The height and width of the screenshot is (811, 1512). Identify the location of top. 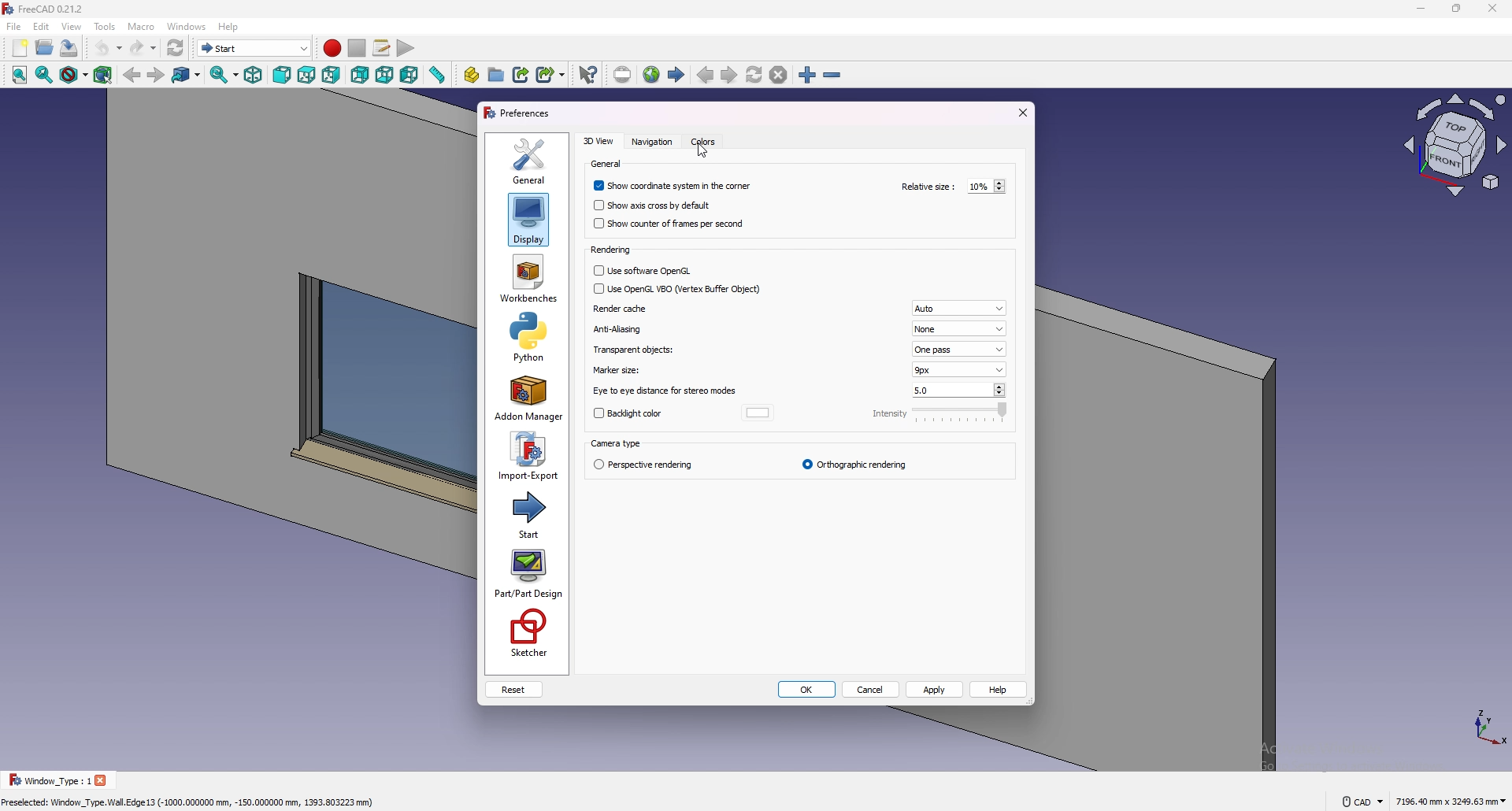
(306, 76).